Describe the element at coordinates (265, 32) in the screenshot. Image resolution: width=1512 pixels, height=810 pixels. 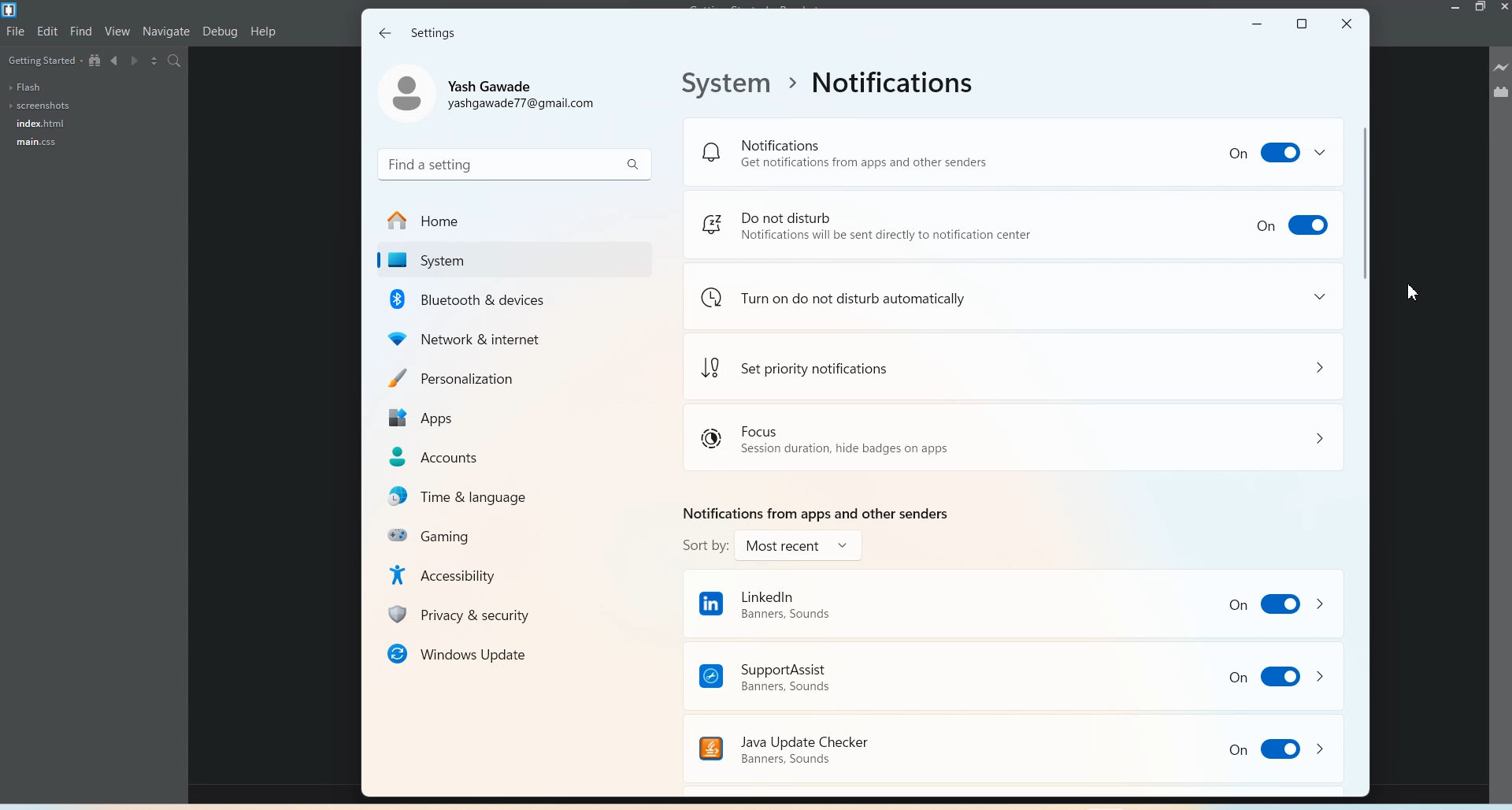
I see `Help` at that location.